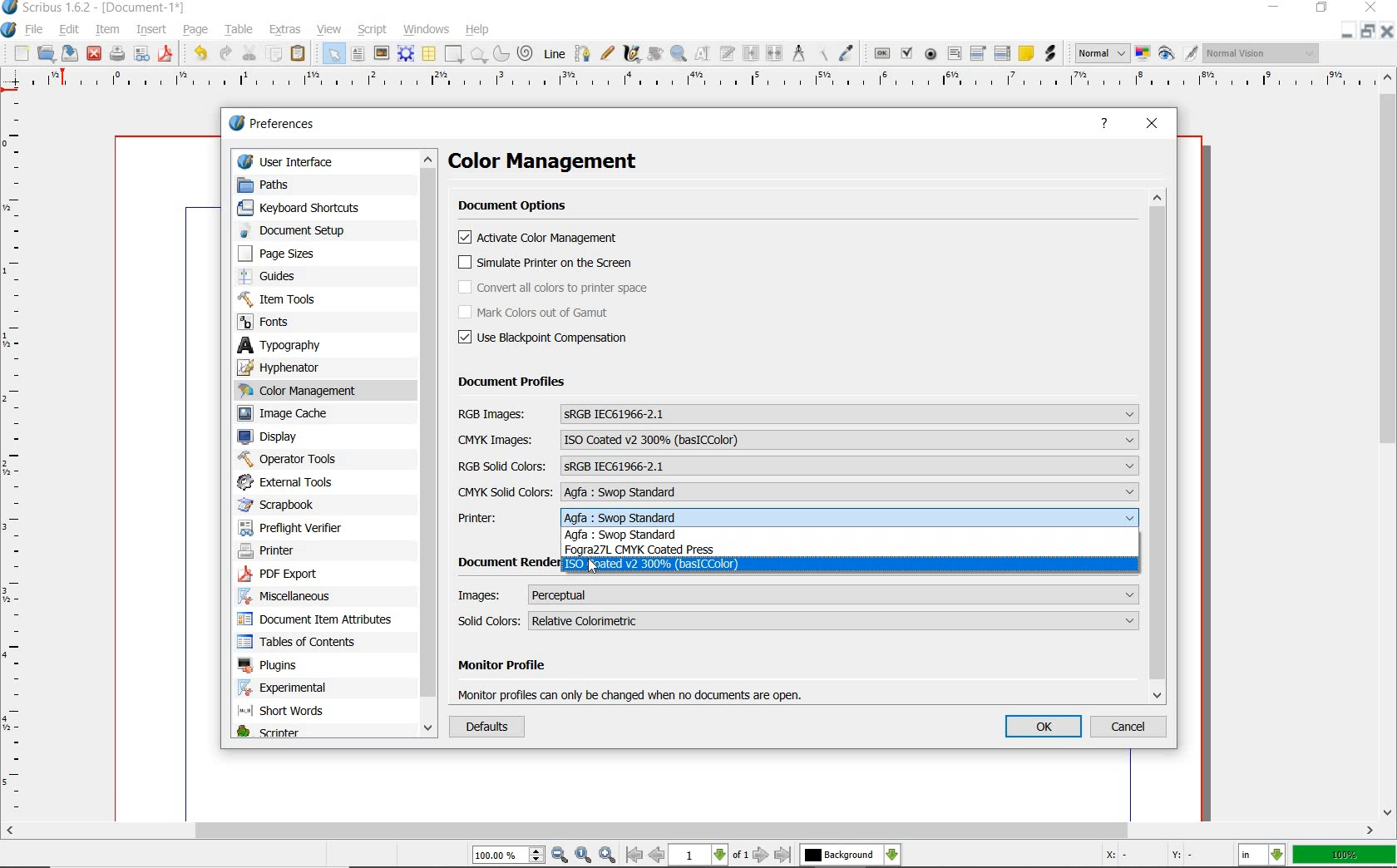 This screenshot has height=868, width=1397. Describe the element at coordinates (290, 482) in the screenshot. I see `external tools` at that location.